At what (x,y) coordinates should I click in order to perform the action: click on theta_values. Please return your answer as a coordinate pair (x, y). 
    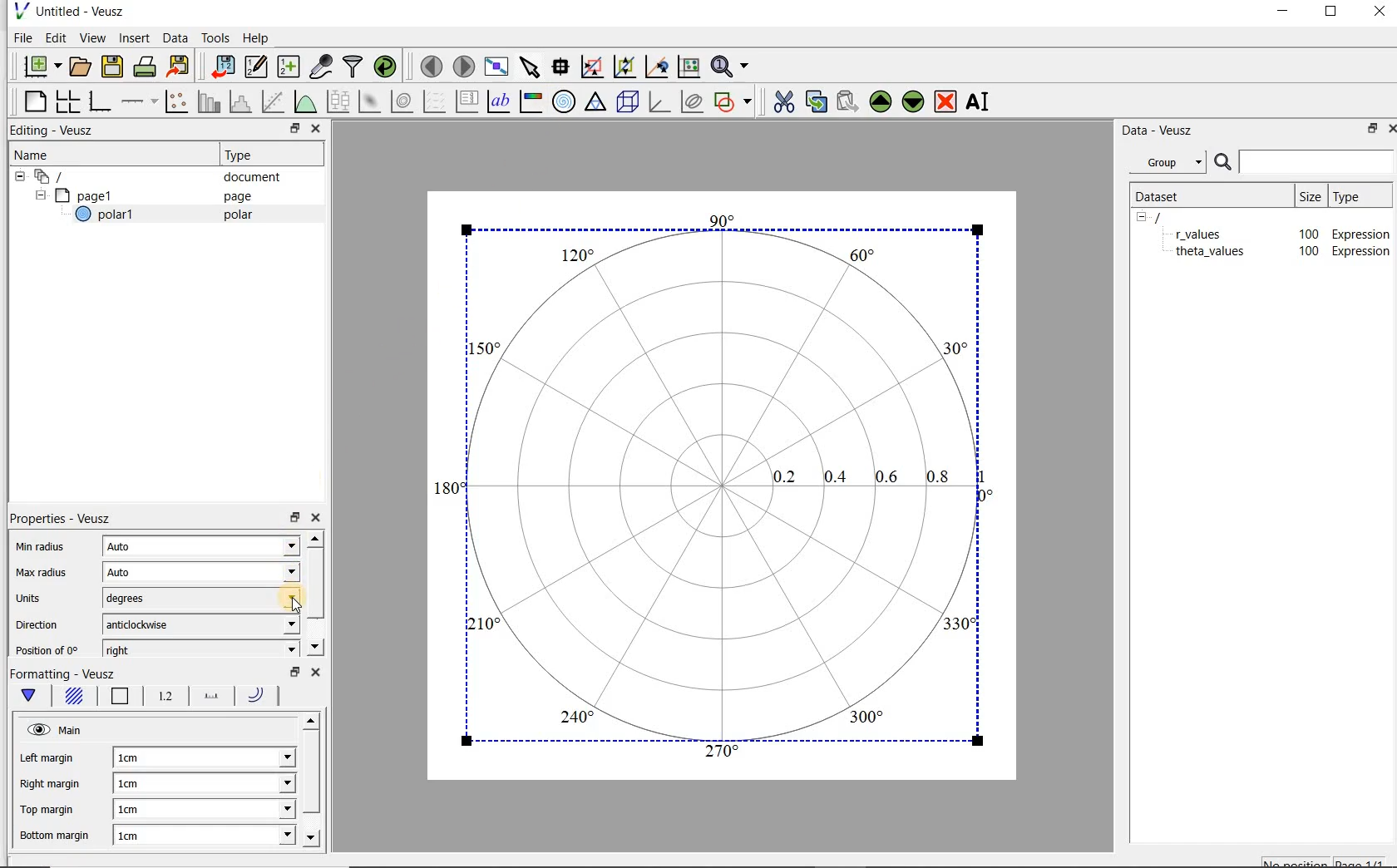
    Looking at the image, I should click on (1214, 254).